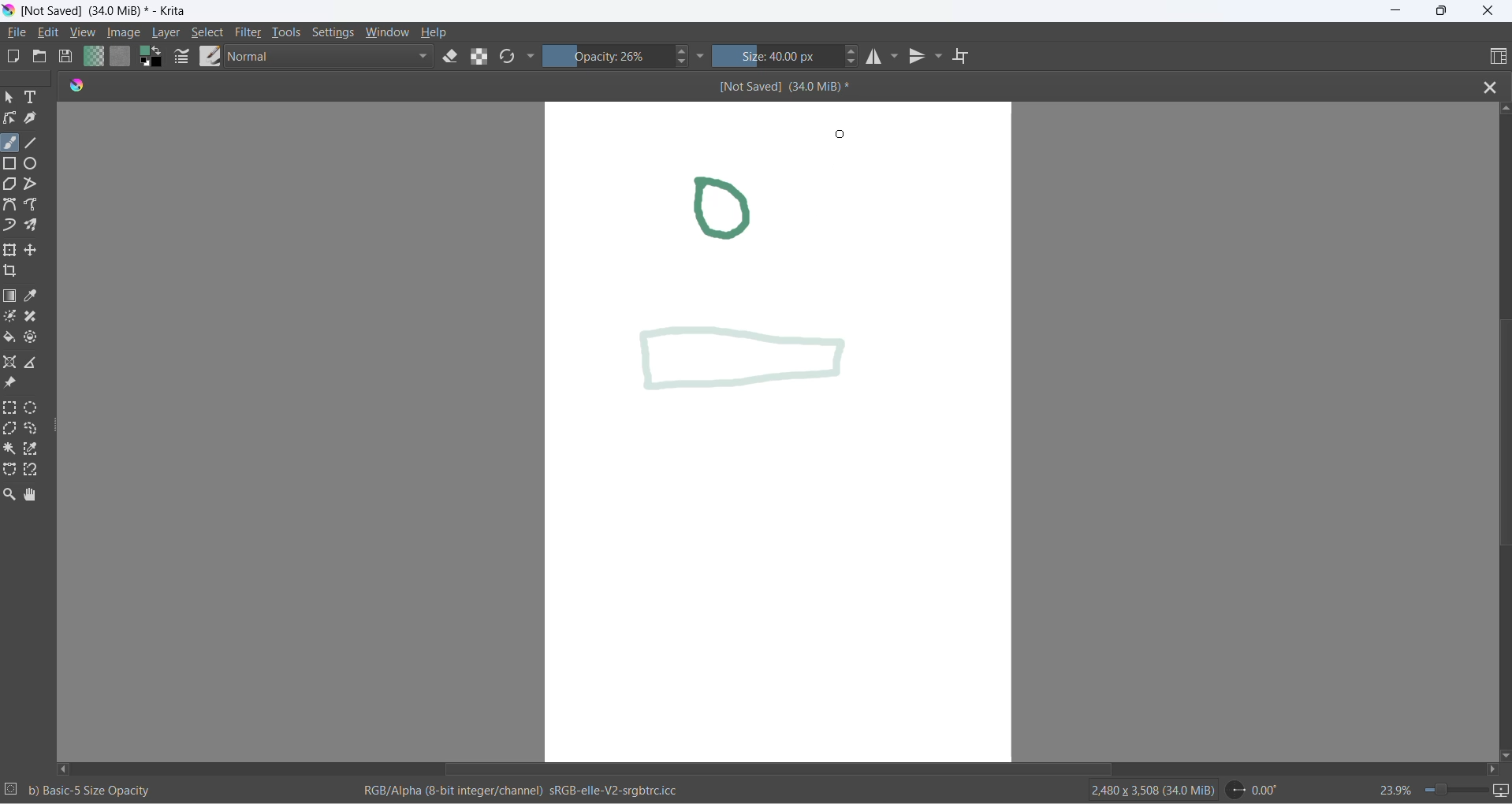 The width and height of the screenshot is (1512, 804). What do you see at coordinates (17, 57) in the screenshot?
I see `new document` at bounding box center [17, 57].